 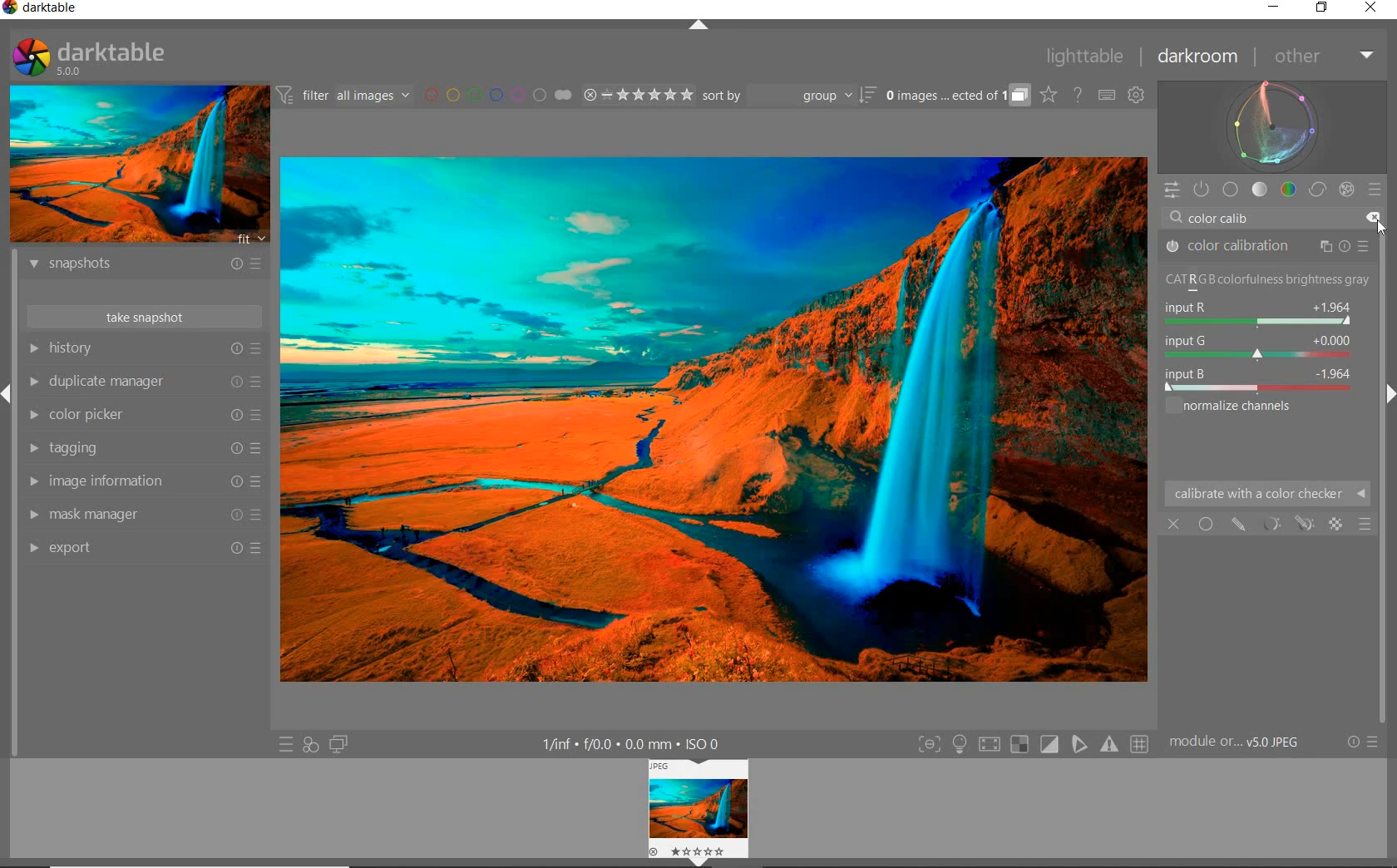 What do you see at coordinates (700, 28) in the screenshot?
I see `EXPAND/COLLAPSE` at bounding box center [700, 28].